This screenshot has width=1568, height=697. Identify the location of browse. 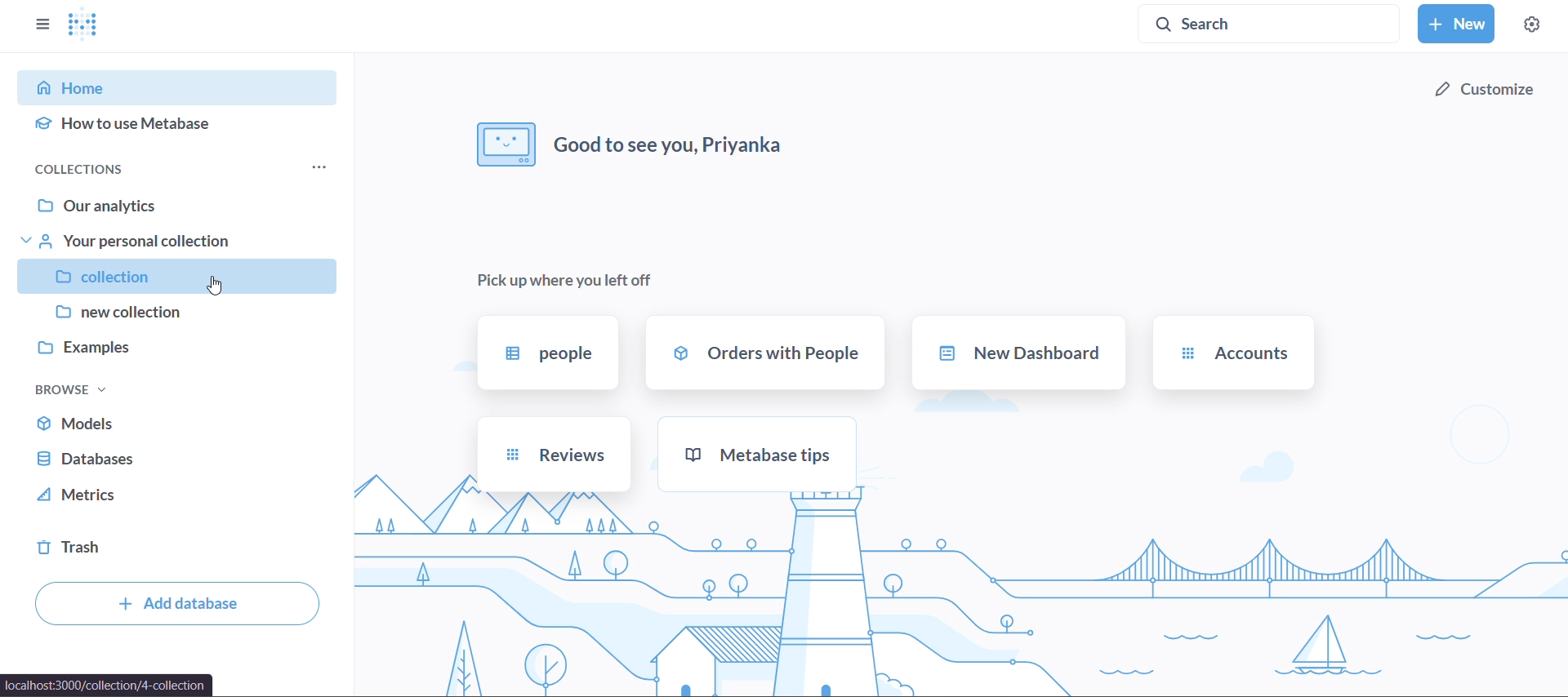
(70, 389).